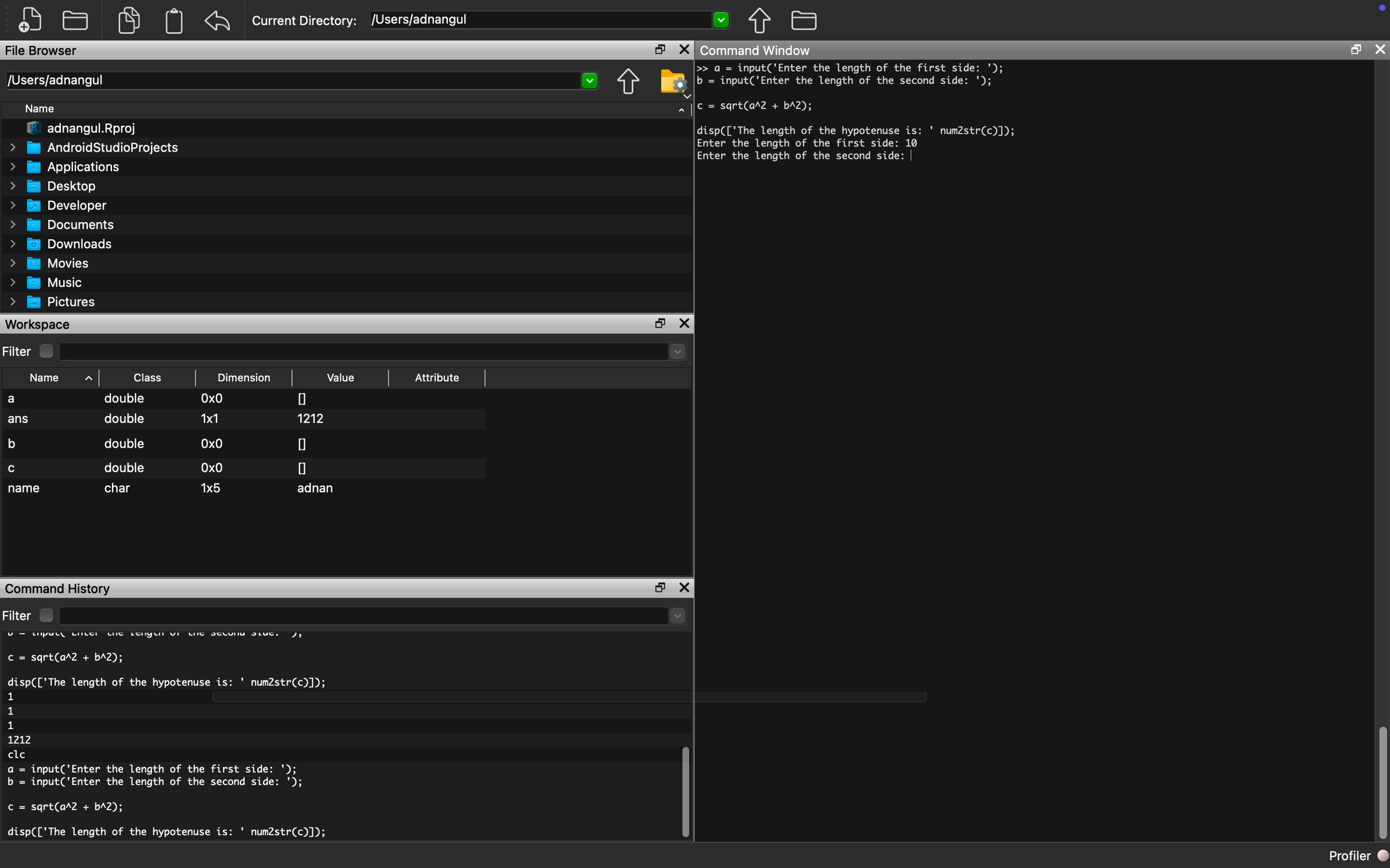 The width and height of the screenshot is (1390, 868). What do you see at coordinates (302, 443) in the screenshot?
I see `0` at bounding box center [302, 443].